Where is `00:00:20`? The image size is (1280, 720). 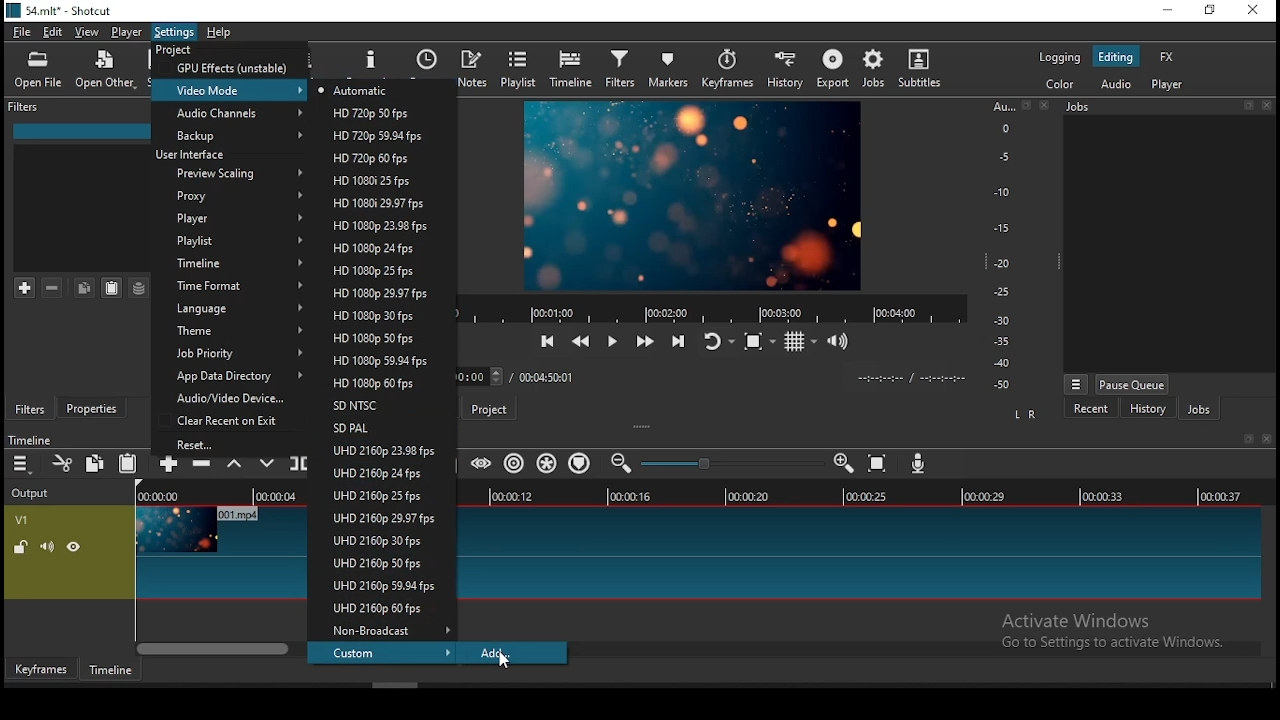 00:00:20 is located at coordinates (746, 495).